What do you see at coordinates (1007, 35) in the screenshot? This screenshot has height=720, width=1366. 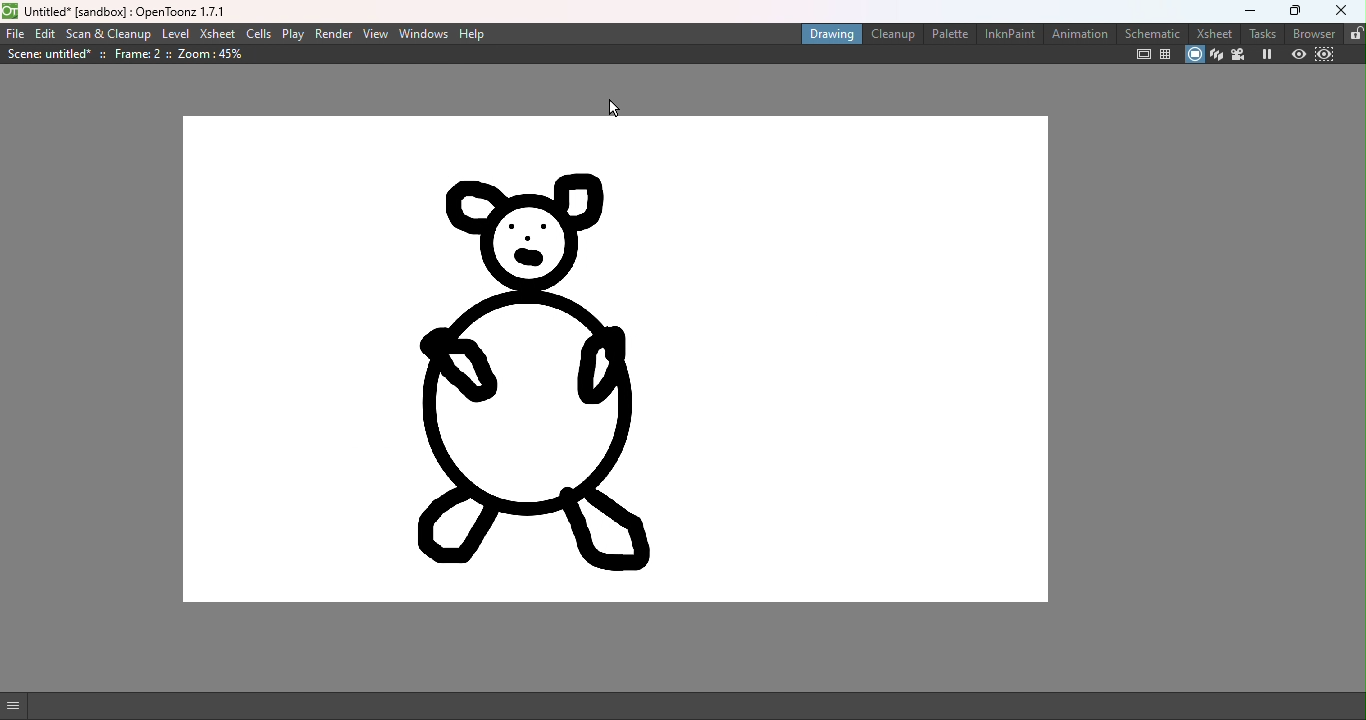 I see `InknPaint` at bounding box center [1007, 35].